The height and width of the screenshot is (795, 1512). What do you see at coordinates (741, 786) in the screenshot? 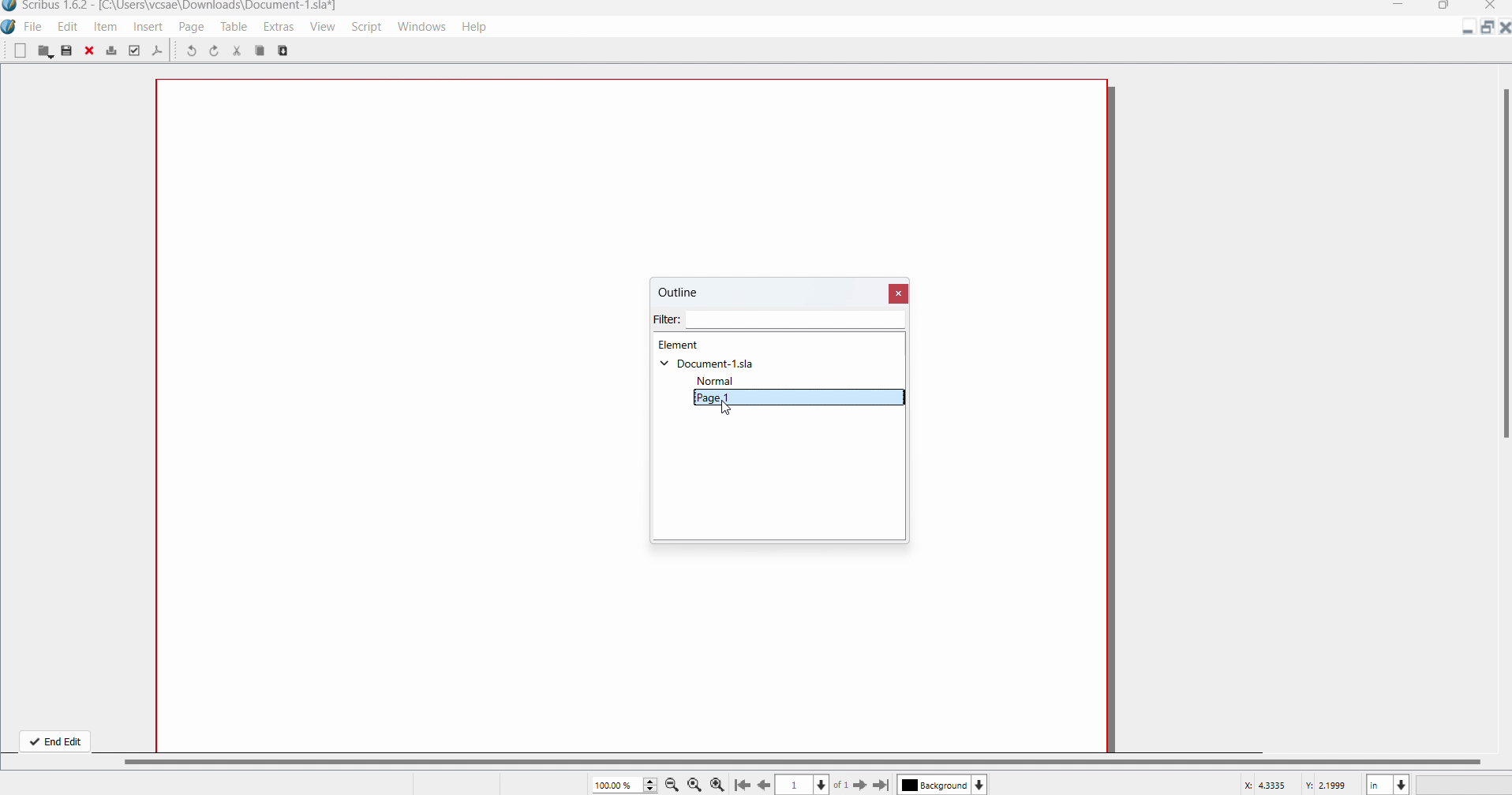
I see `go to top` at bounding box center [741, 786].